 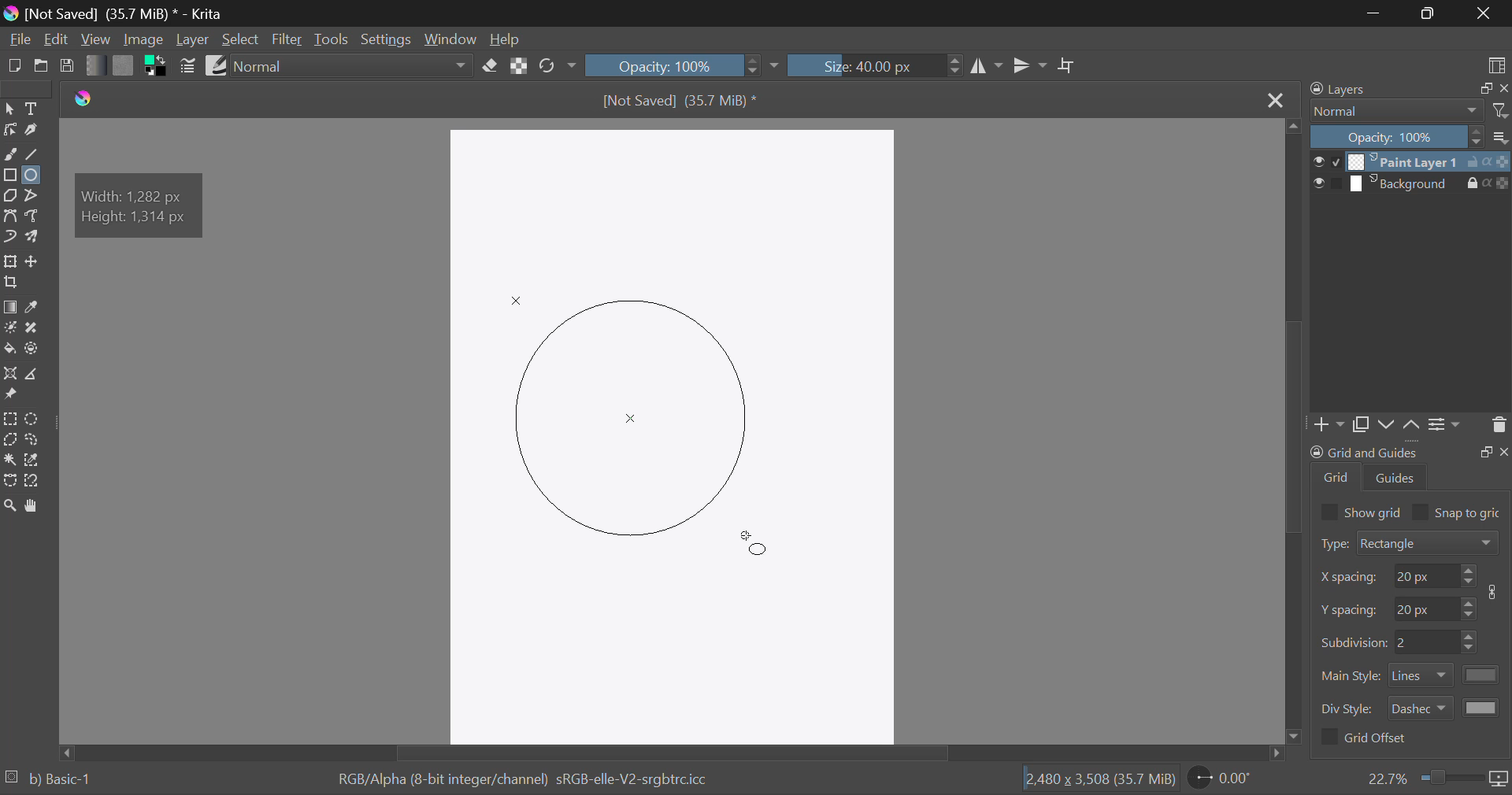 I want to click on Opacity, so click(x=1411, y=138).